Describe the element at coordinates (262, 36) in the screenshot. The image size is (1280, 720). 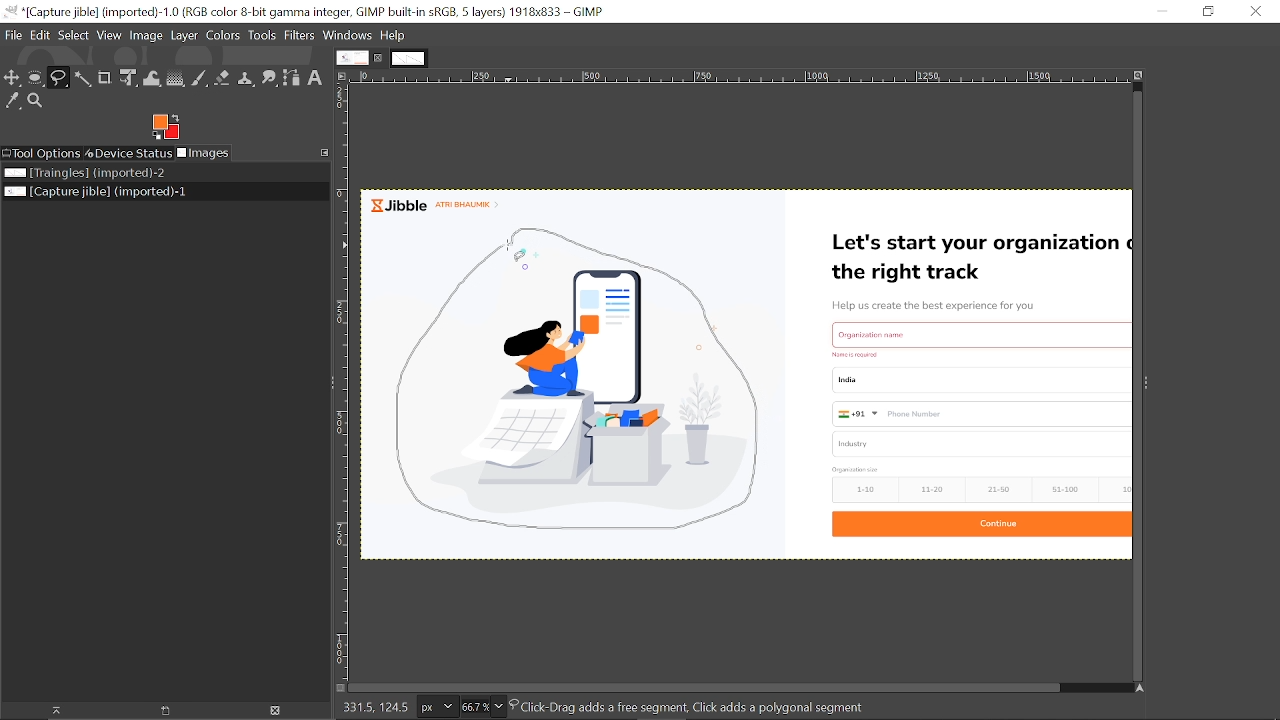
I see `Tools` at that location.